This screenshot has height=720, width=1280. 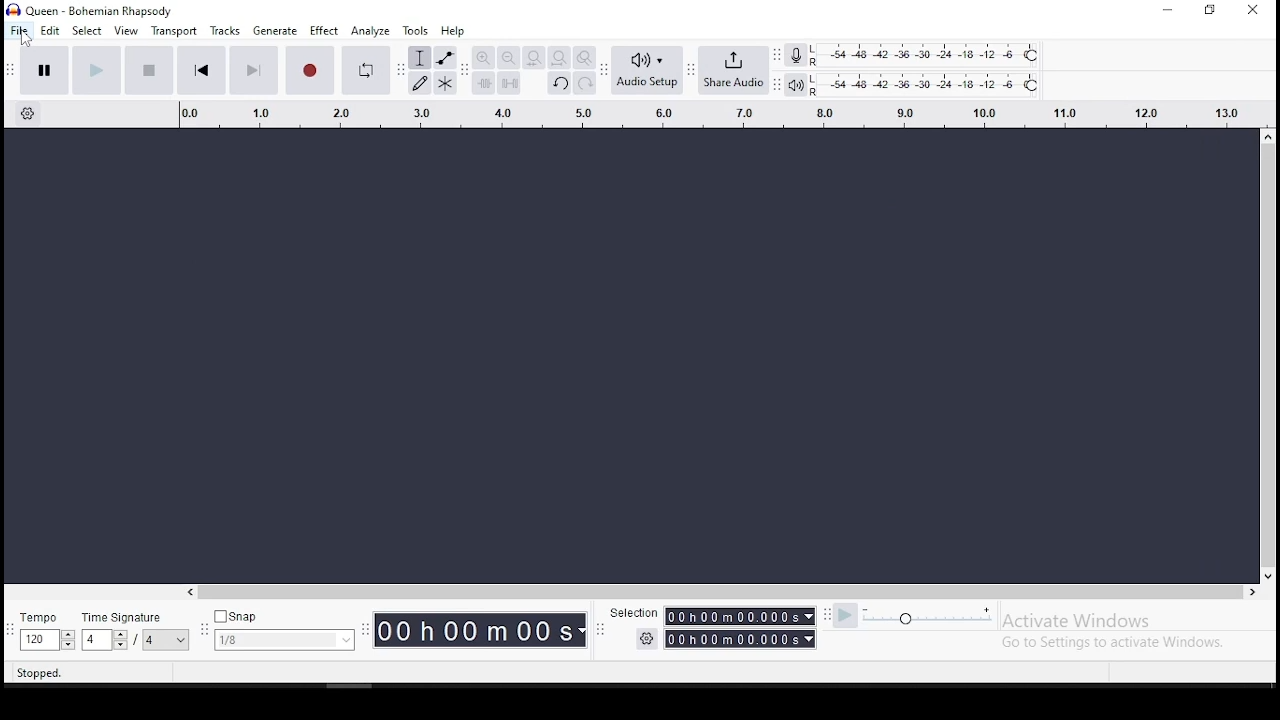 I want to click on fit to project to width, so click(x=559, y=58).